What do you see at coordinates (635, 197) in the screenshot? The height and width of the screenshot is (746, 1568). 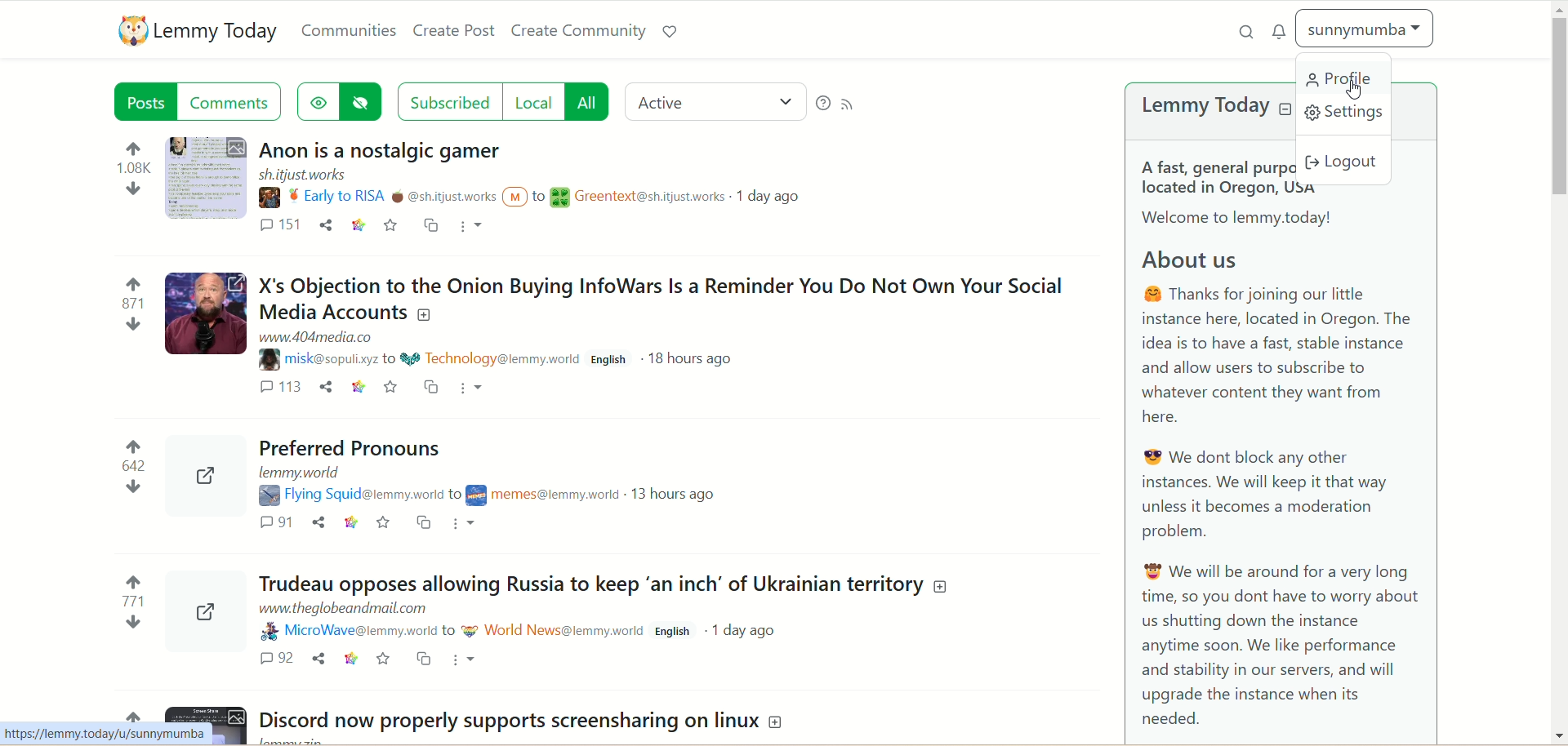 I see `Community` at bounding box center [635, 197].